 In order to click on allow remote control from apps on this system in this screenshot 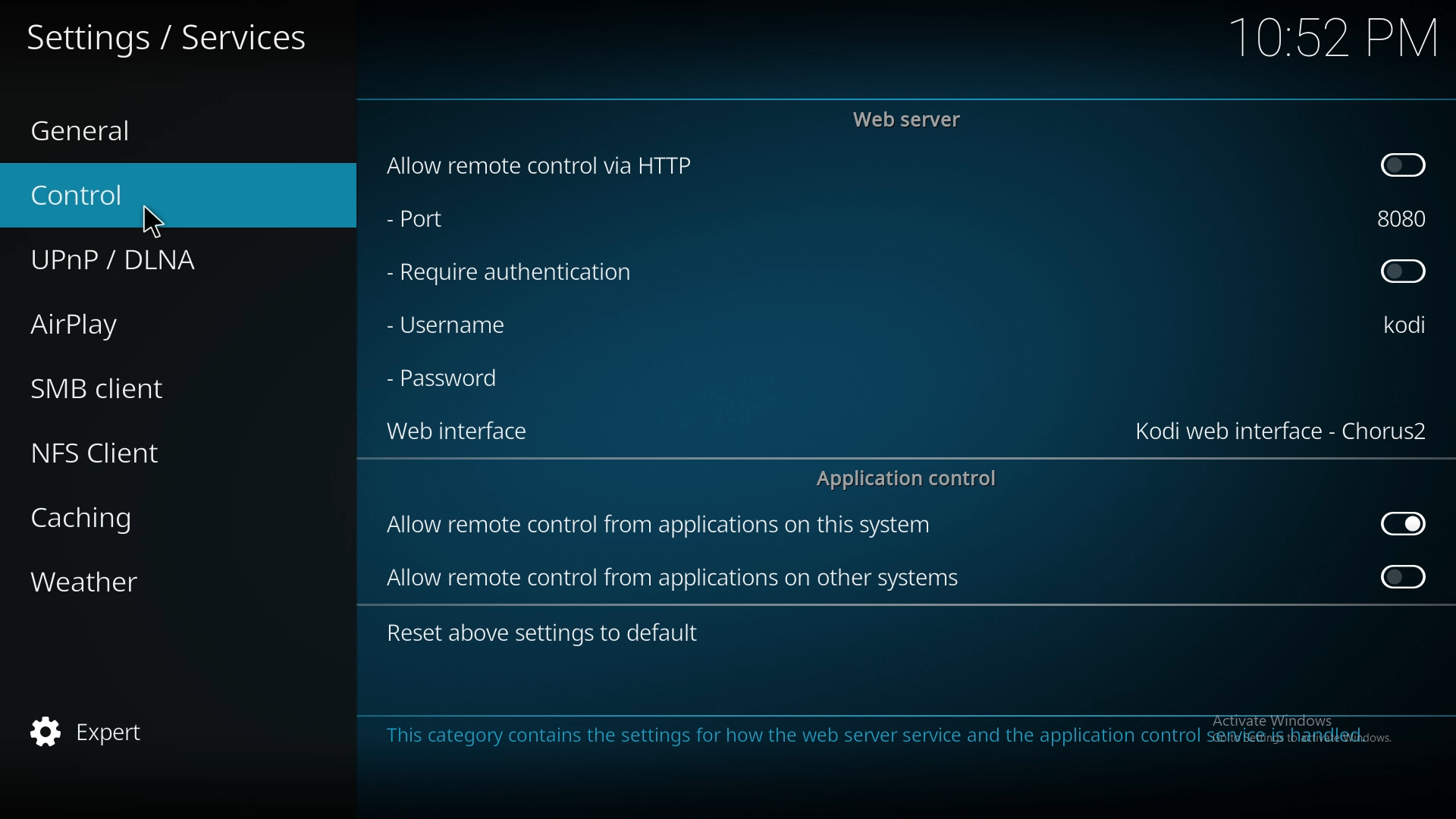, I will do `click(661, 528)`.